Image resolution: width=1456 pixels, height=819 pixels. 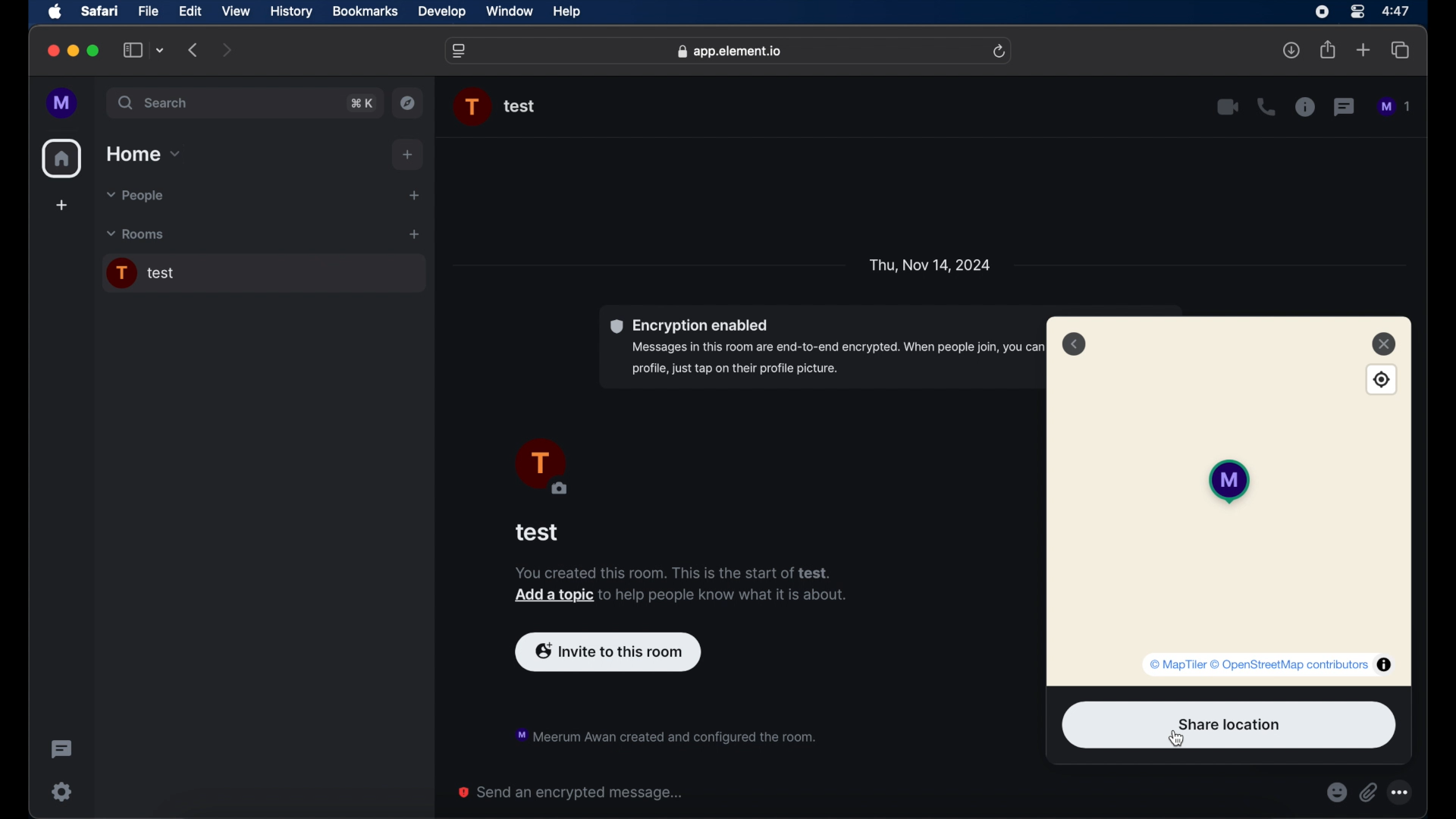 I want to click on search, so click(x=155, y=103).